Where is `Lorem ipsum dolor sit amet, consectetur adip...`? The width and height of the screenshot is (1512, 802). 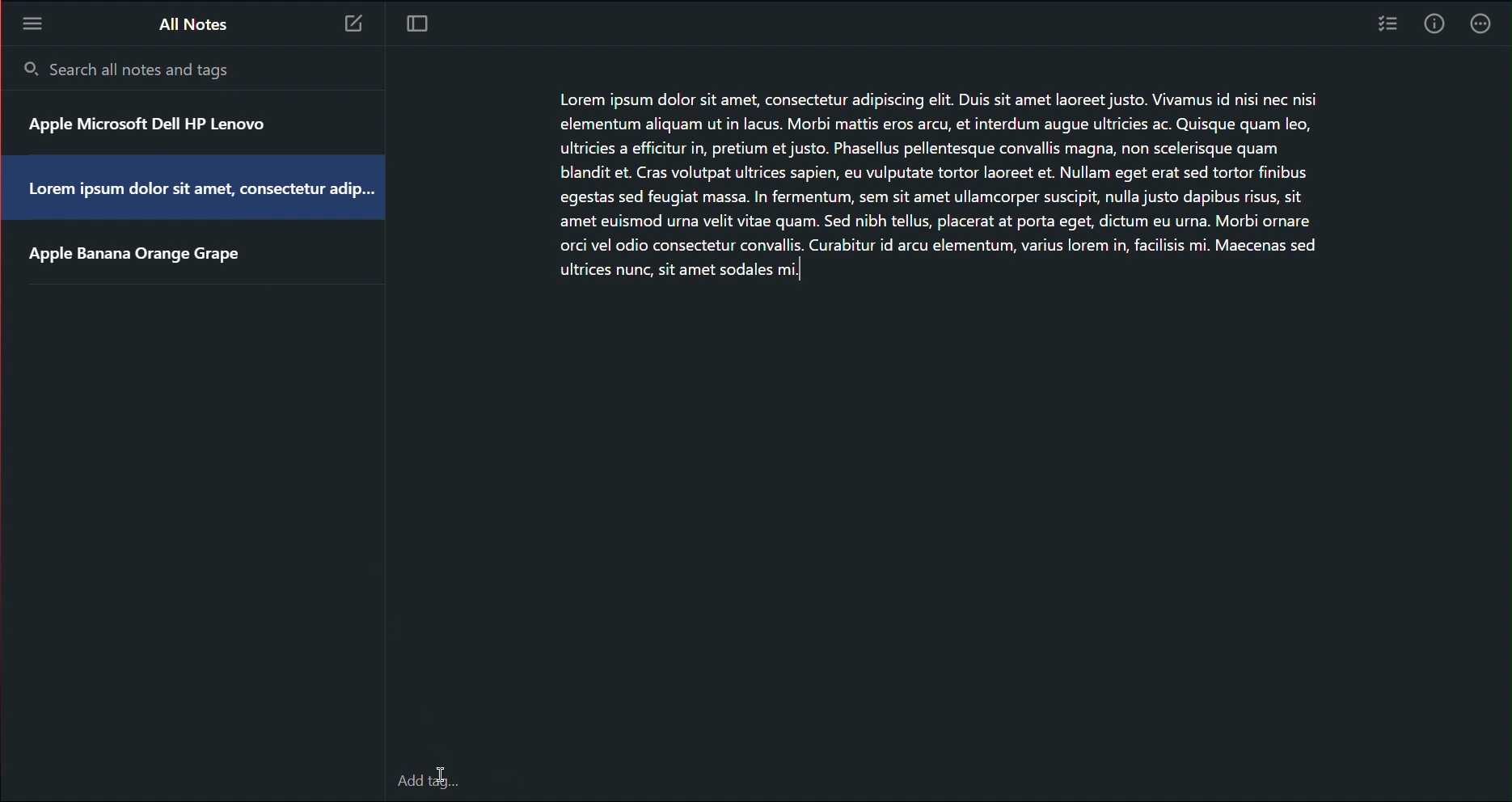
Lorem ipsum dolor sit amet, consectetur adip... is located at coordinates (196, 195).